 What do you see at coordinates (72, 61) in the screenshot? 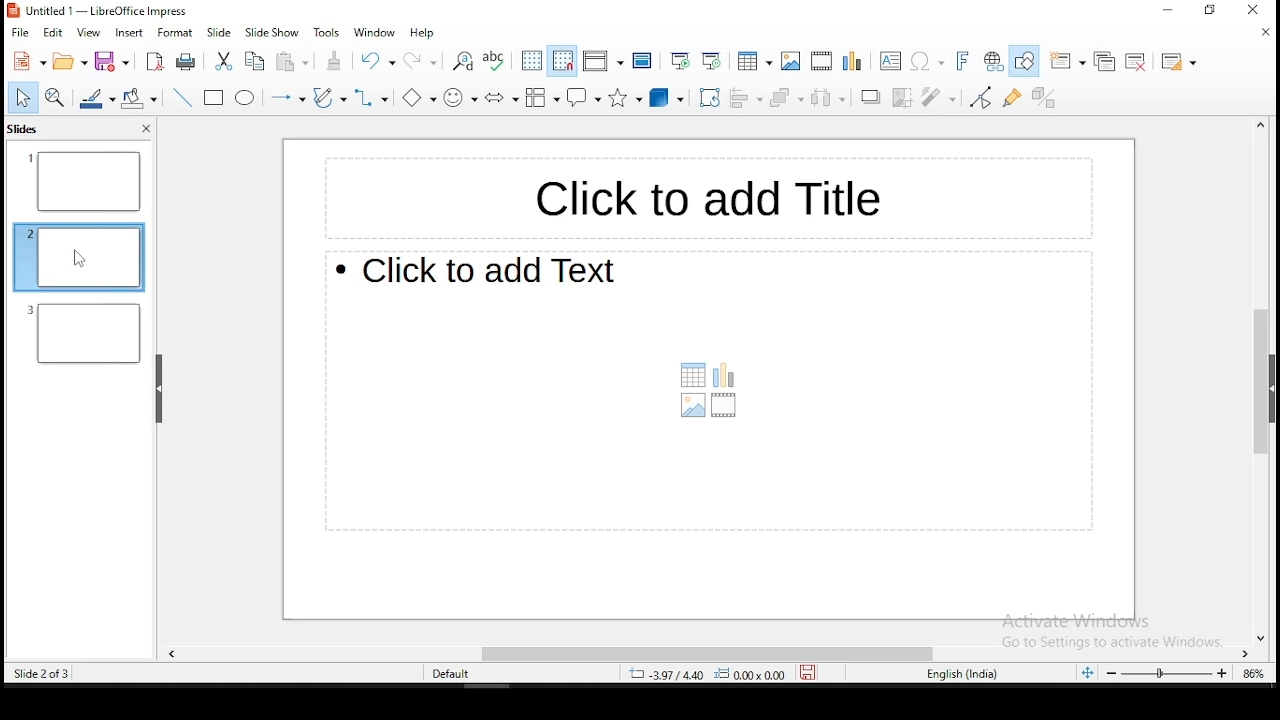
I see `open` at bounding box center [72, 61].